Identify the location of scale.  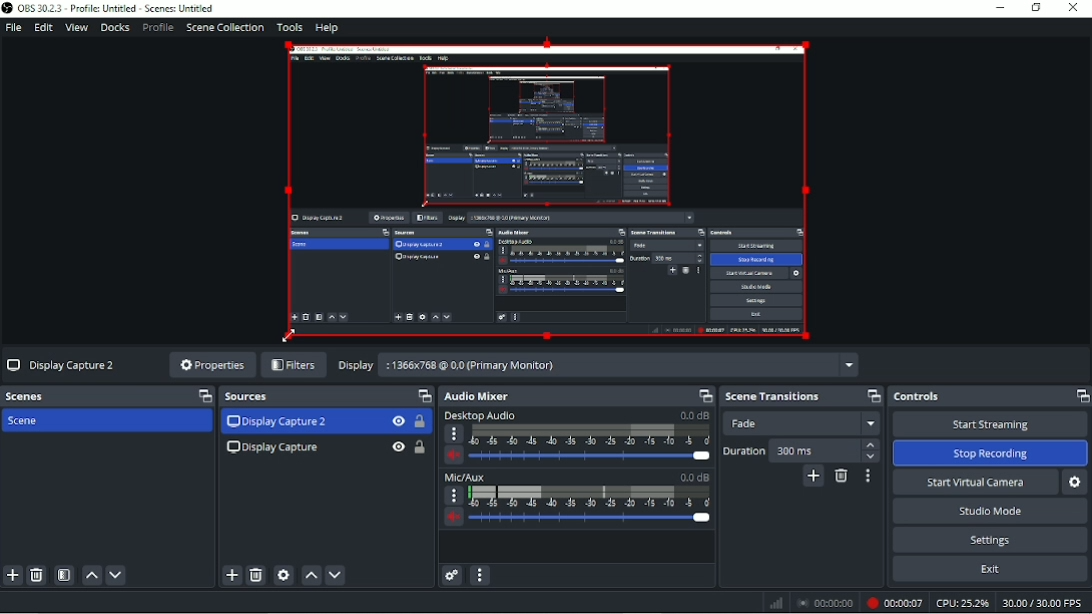
(590, 436).